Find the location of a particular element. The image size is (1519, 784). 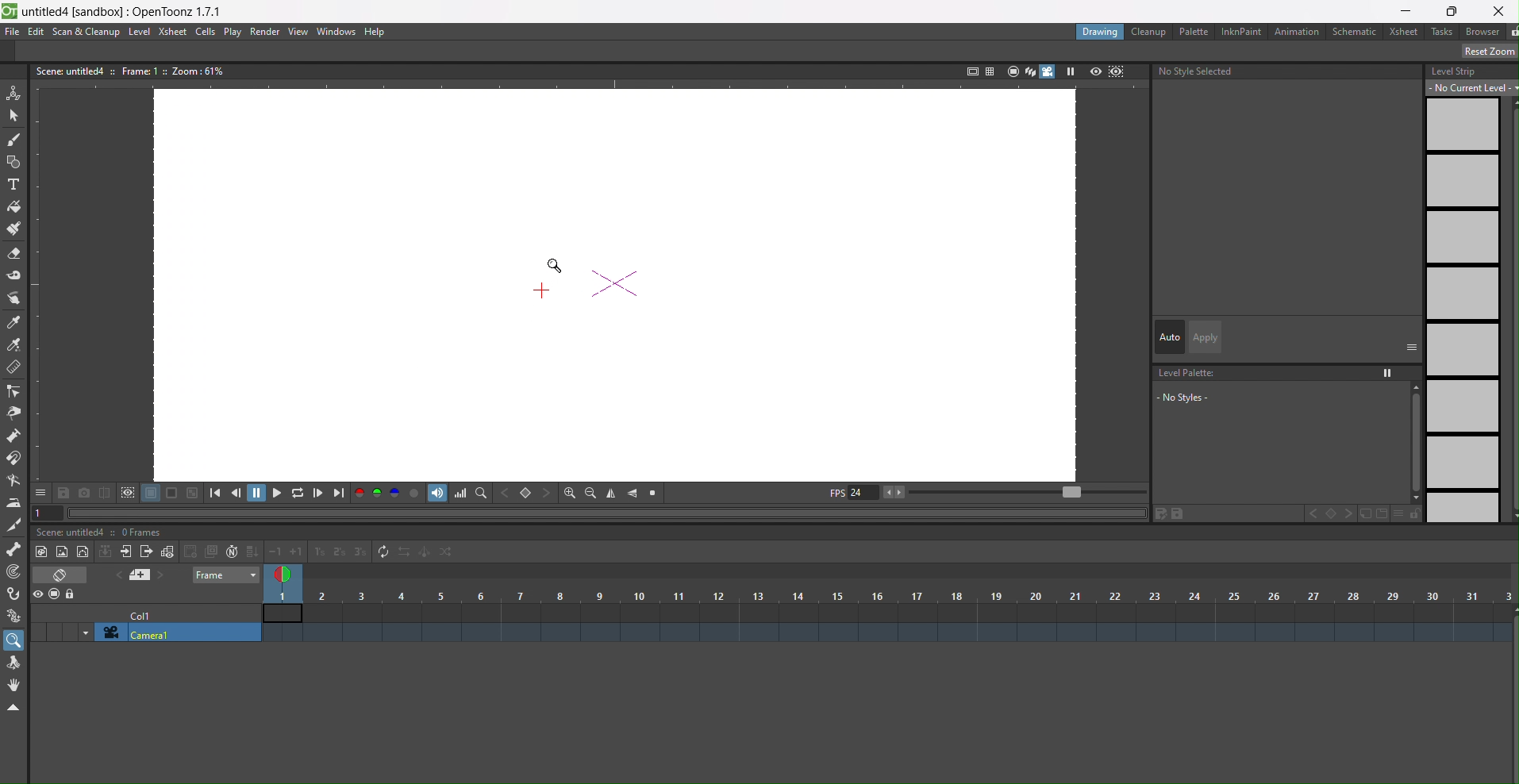

hook tool is located at coordinates (14, 594).